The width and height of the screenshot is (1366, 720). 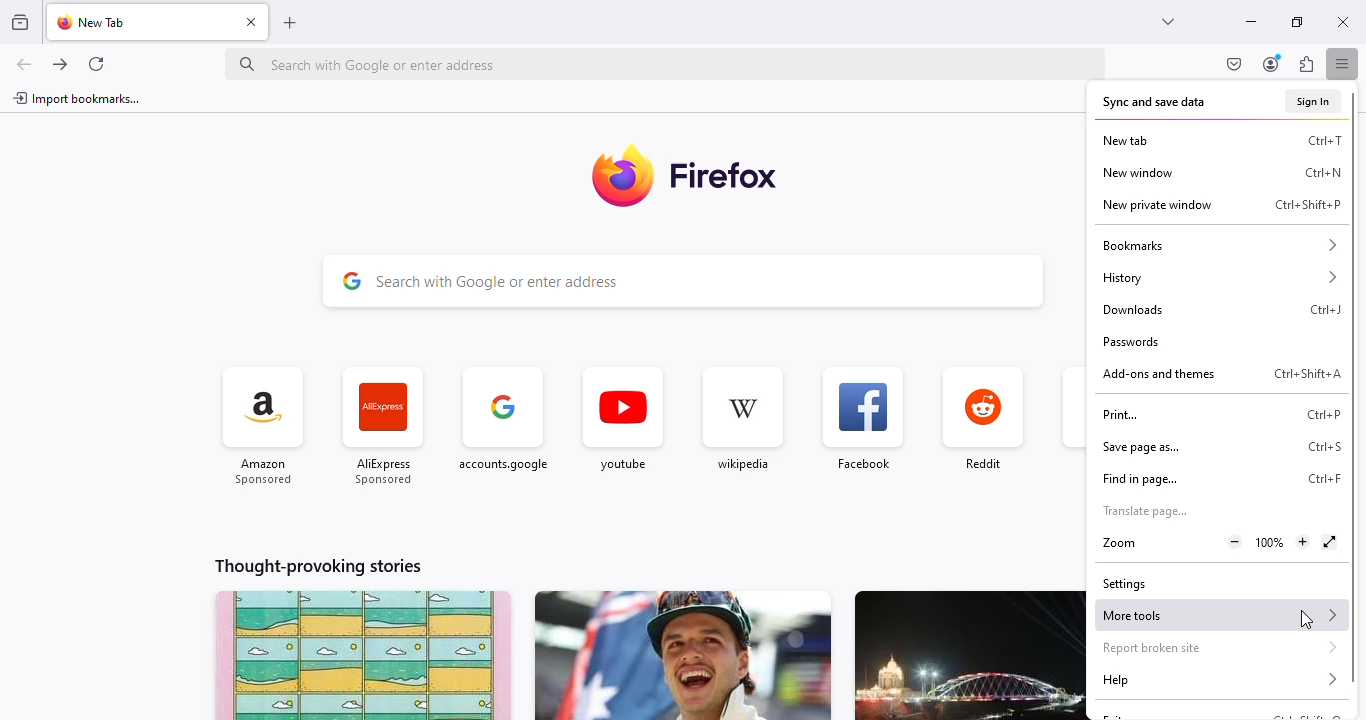 I want to click on cursor, so click(x=1308, y=620).